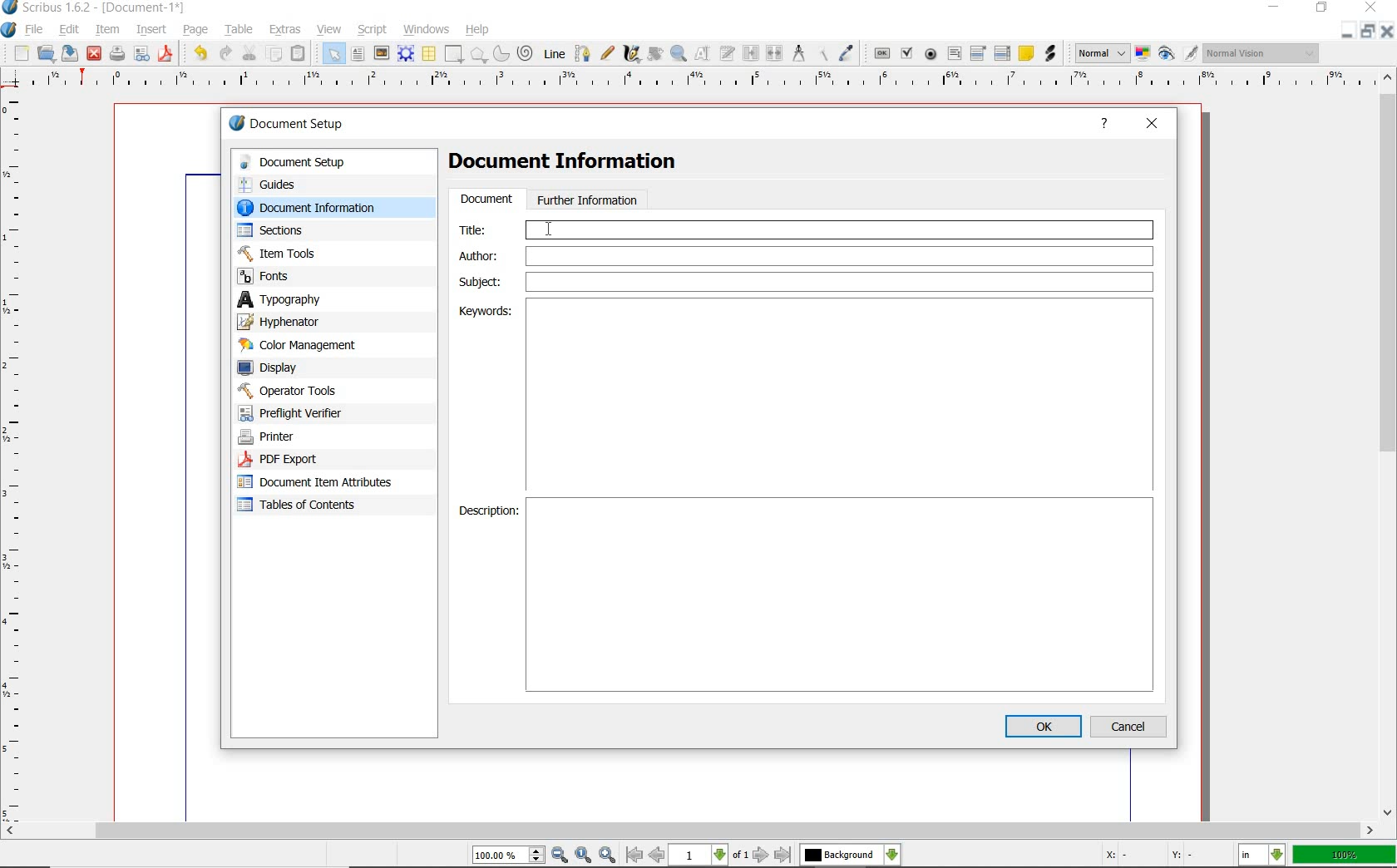 This screenshot has height=868, width=1397. What do you see at coordinates (806, 282) in the screenshot?
I see `Subject` at bounding box center [806, 282].